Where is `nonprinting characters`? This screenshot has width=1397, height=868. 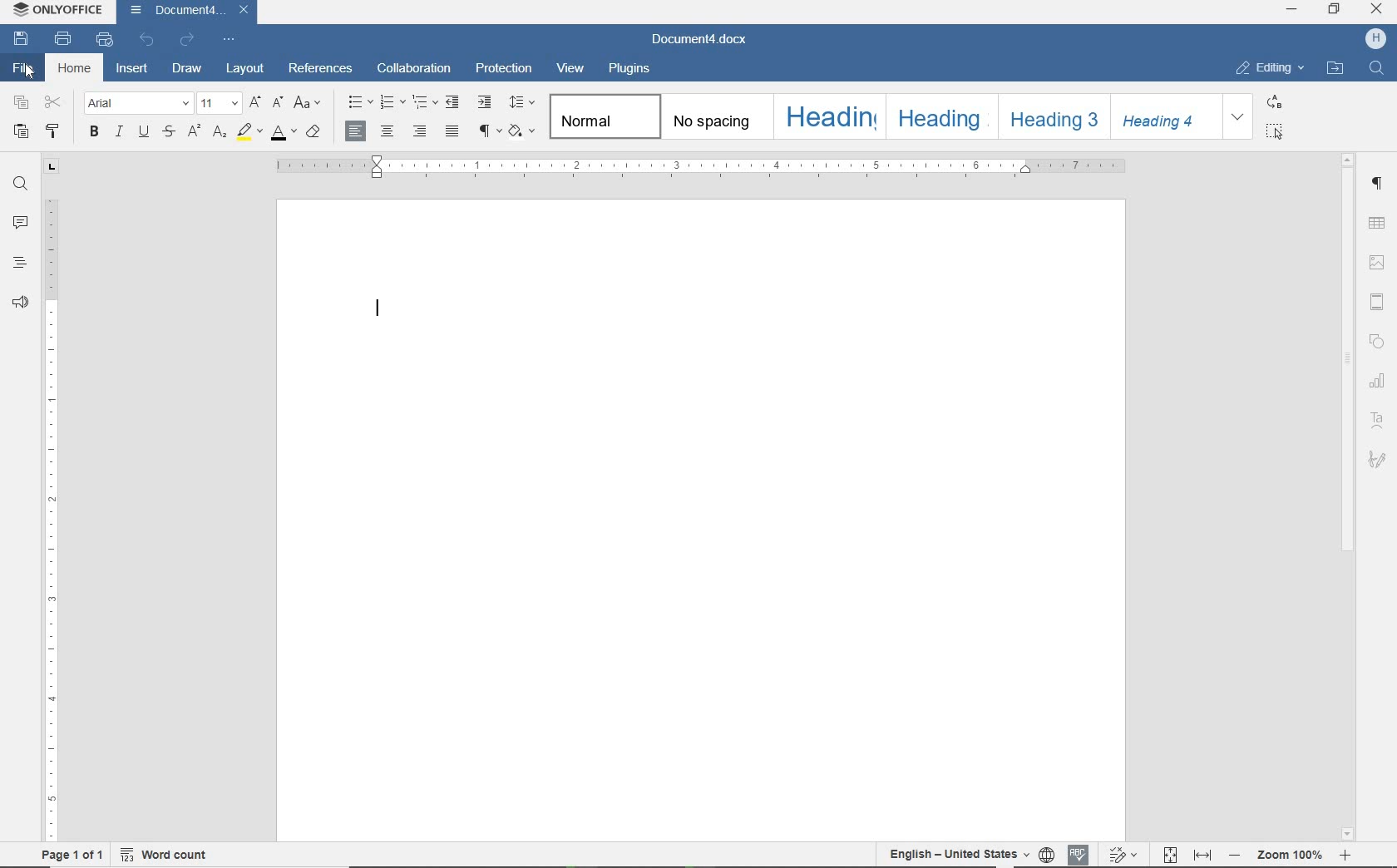 nonprinting characters is located at coordinates (489, 131).